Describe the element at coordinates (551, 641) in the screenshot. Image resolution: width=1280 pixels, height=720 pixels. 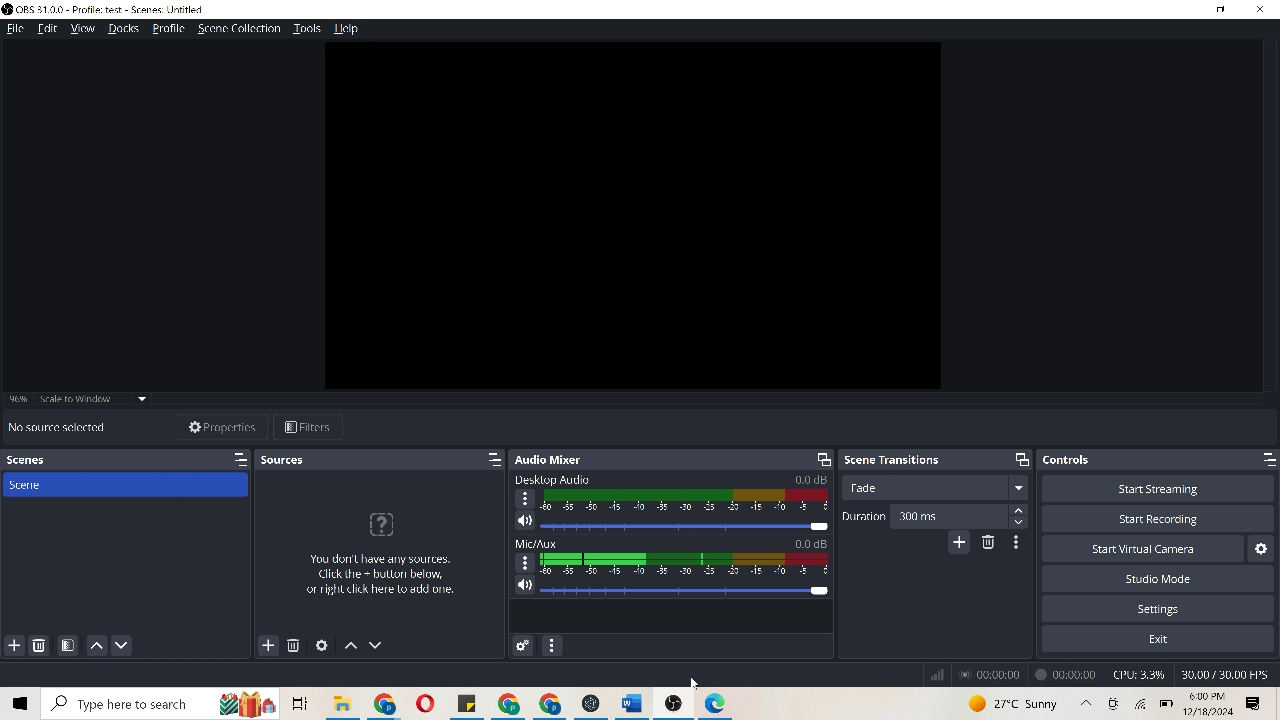
I see `audio mixer menu` at that location.